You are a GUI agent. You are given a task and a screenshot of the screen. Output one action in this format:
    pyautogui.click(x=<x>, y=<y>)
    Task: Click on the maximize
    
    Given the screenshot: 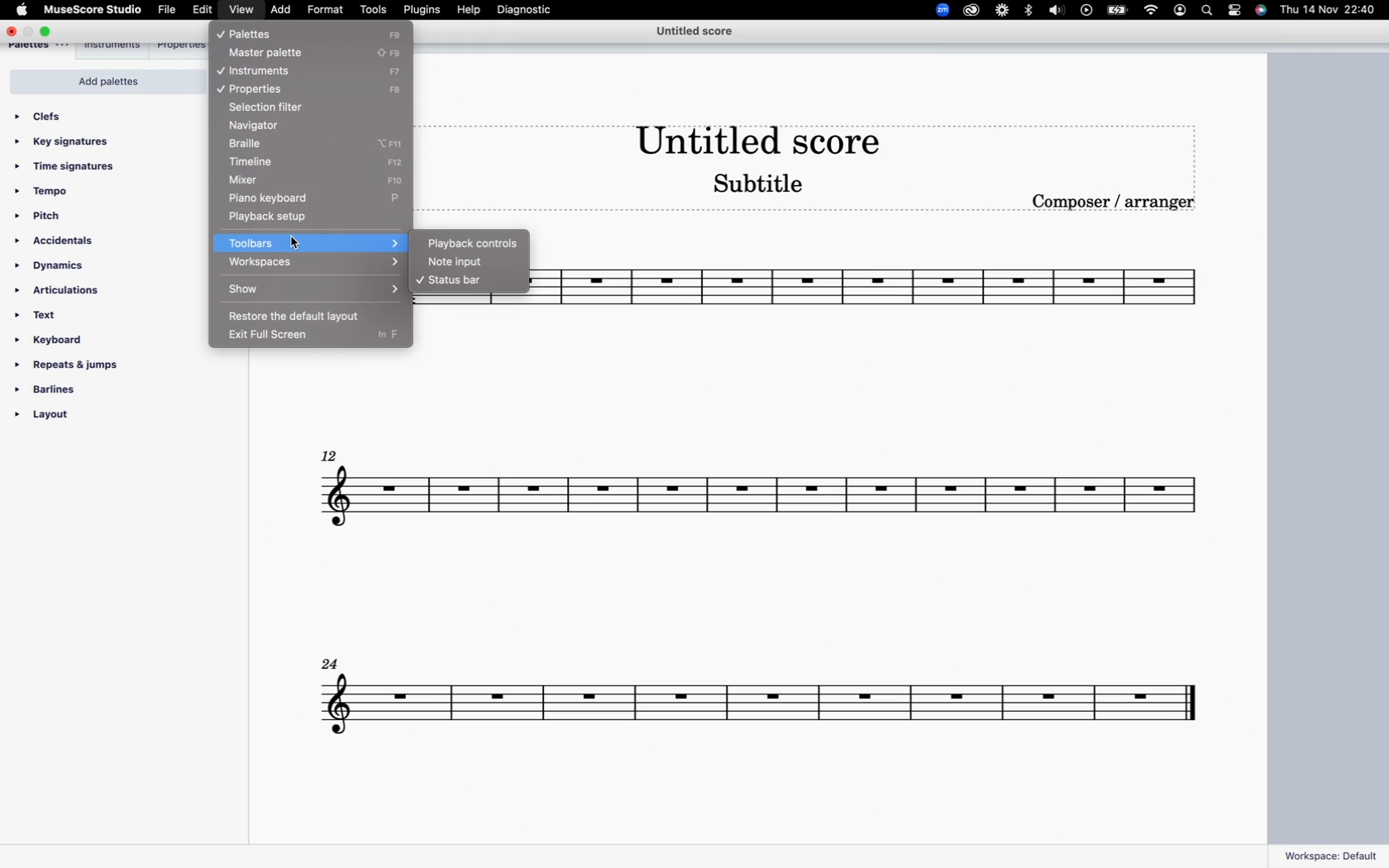 What is the action you would take?
    pyautogui.click(x=50, y=31)
    